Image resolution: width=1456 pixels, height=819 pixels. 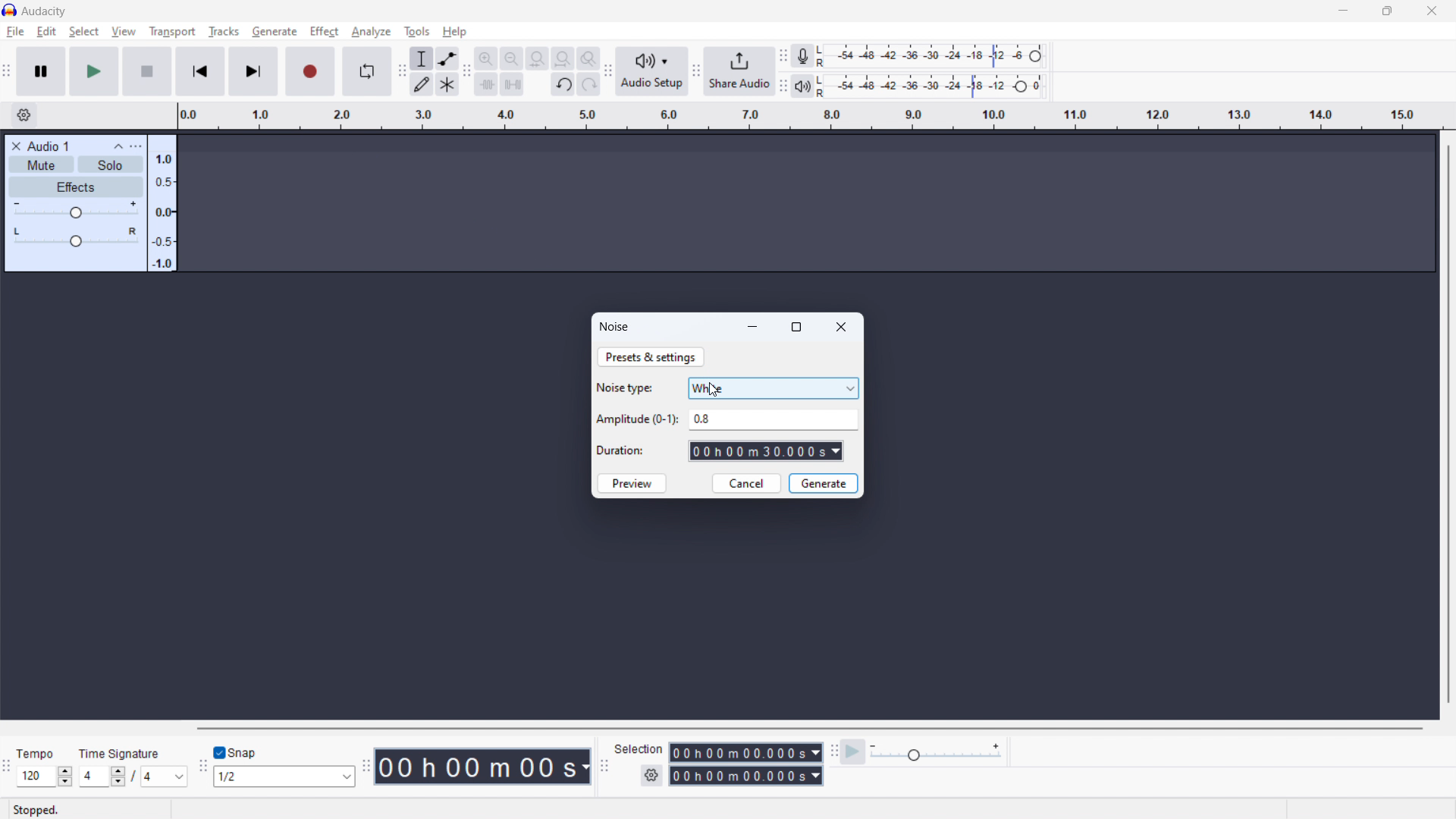 What do you see at coordinates (607, 71) in the screenshot?
I see `audio setup toolbar` at bounding box center [607, 71].